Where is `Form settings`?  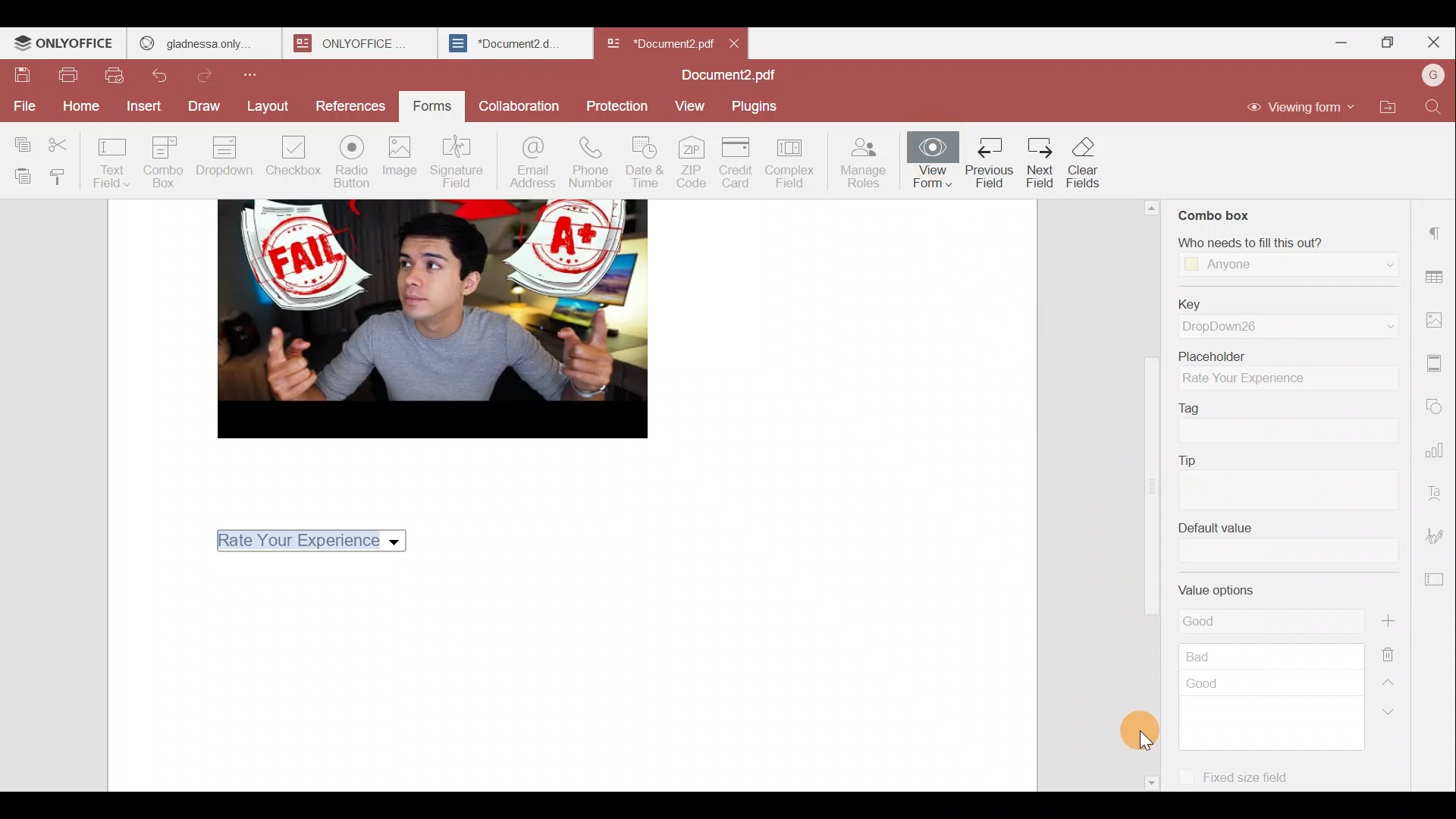 Form settings is located at coordinates (1435, 579).